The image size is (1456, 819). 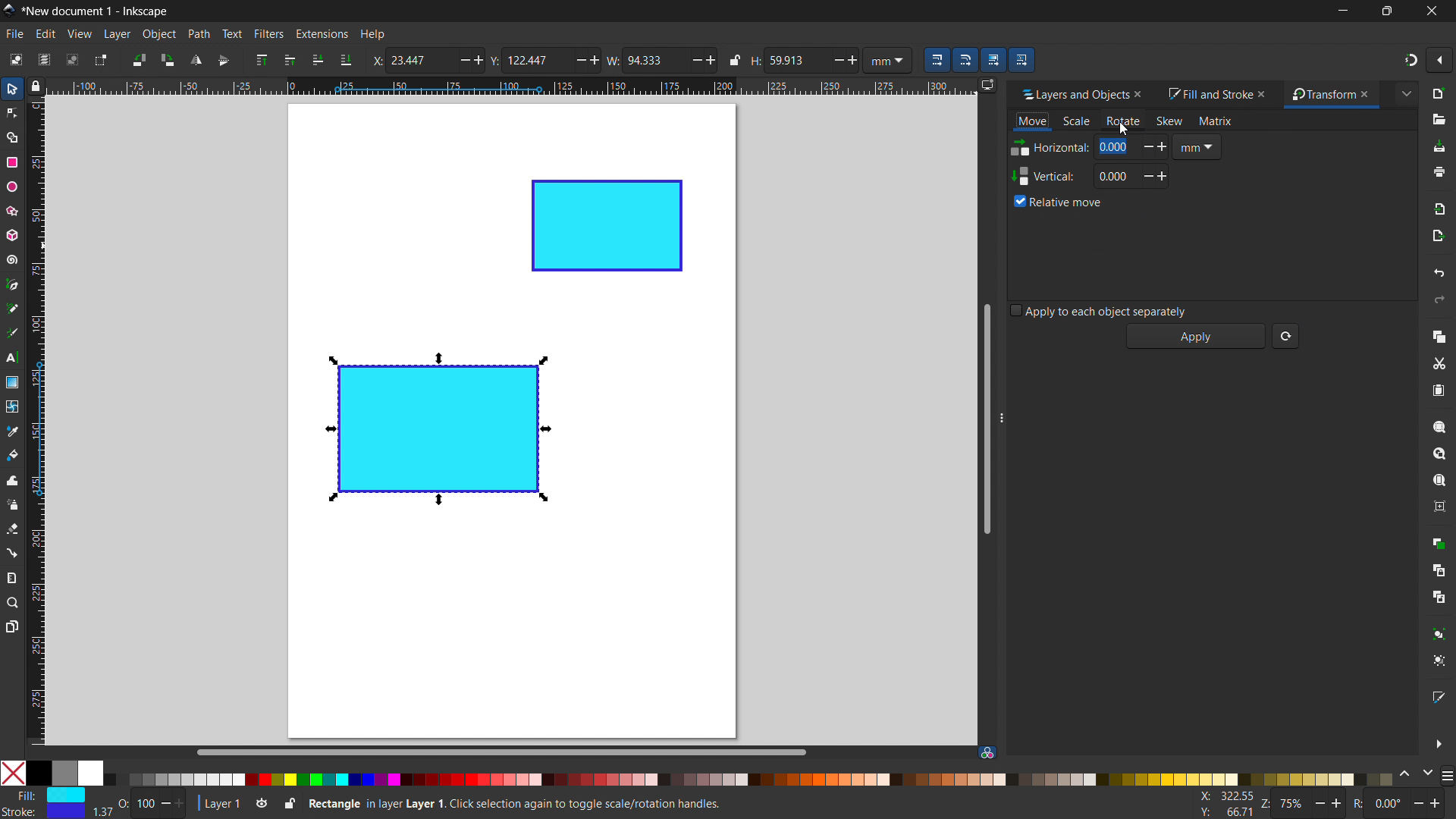 What do you see at coordinates (195, 60) in the screenshot?
I see `flip horizontal` at bounding box center [195, 60].